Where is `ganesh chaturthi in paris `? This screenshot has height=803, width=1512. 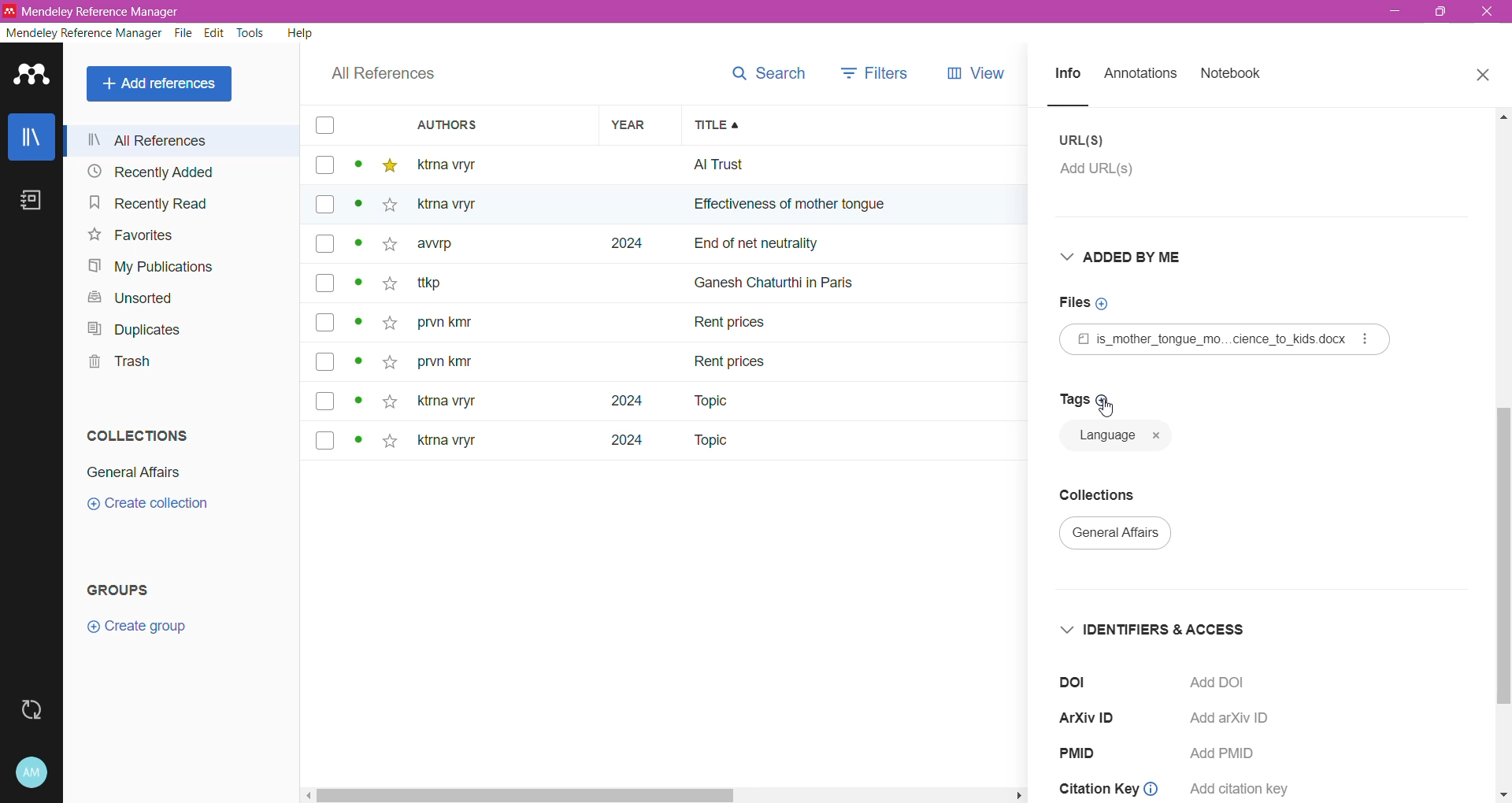
ganesh chaturthi in paris  is located at coordinates (792, 276).